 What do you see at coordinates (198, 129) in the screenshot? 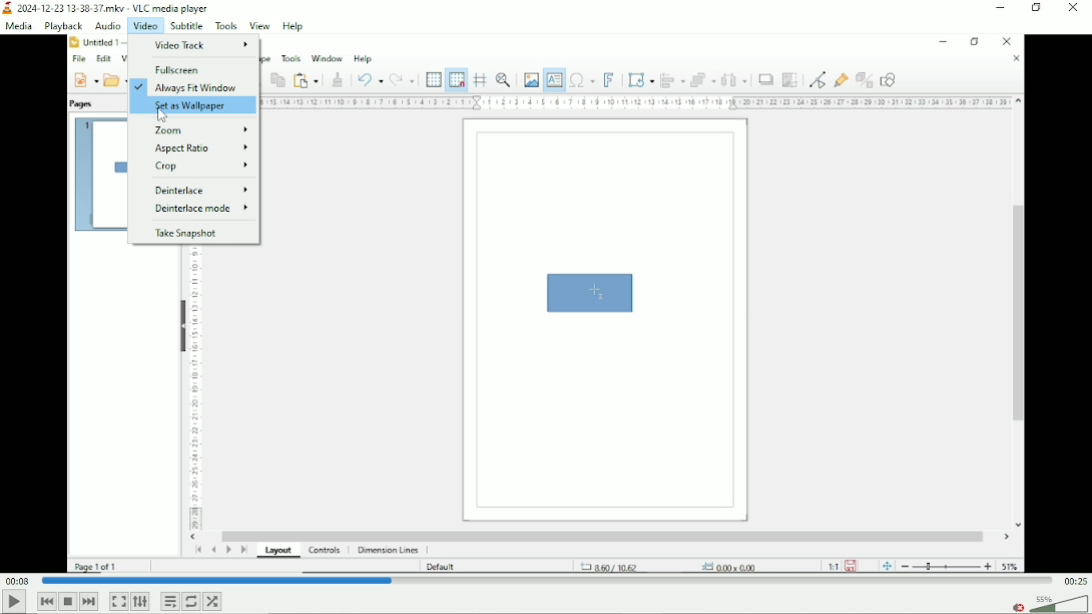
I see `Zoom` at bounding box center [198, 129].